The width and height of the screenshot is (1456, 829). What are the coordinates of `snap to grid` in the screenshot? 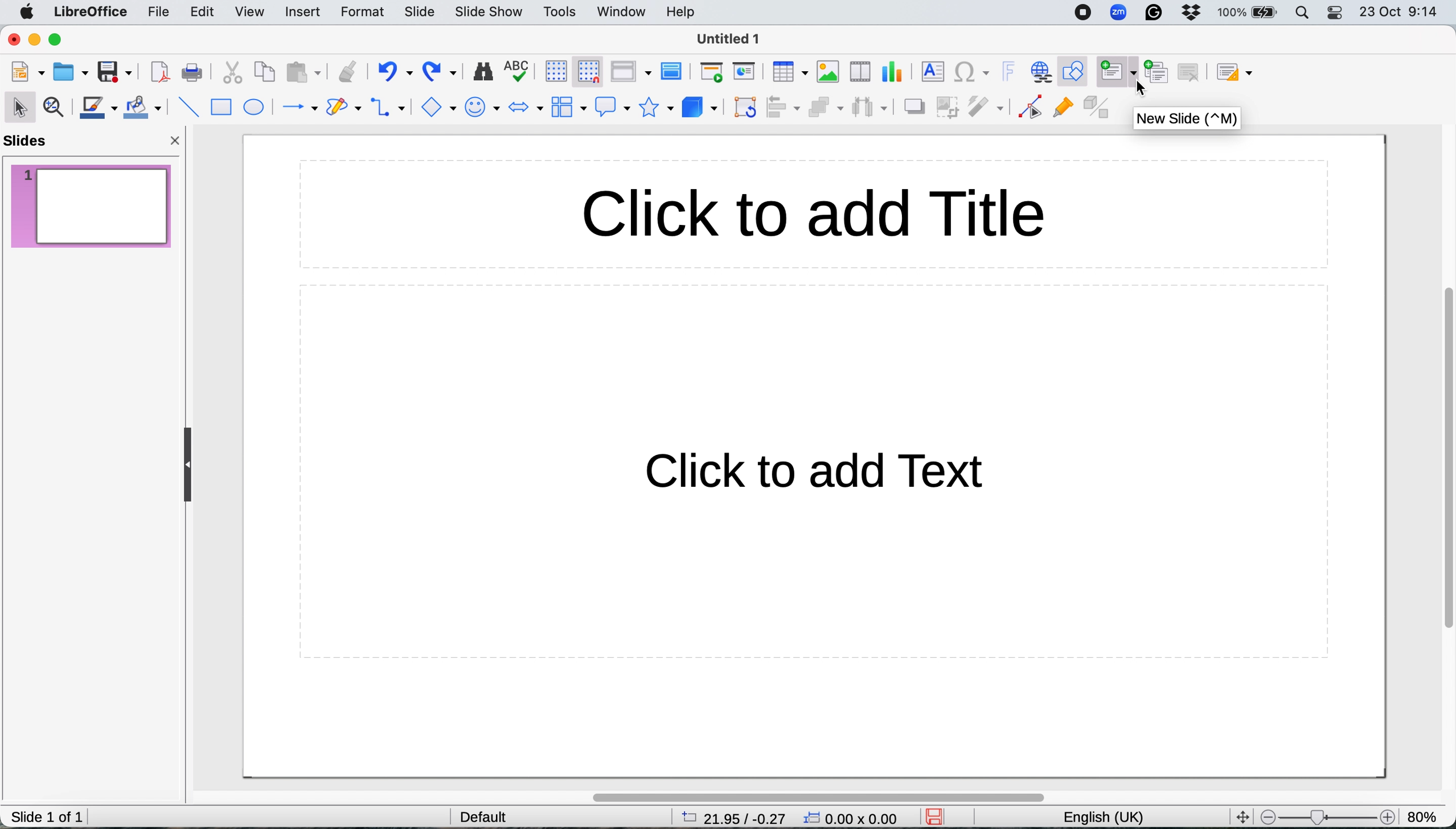 It's located at (590, 73).